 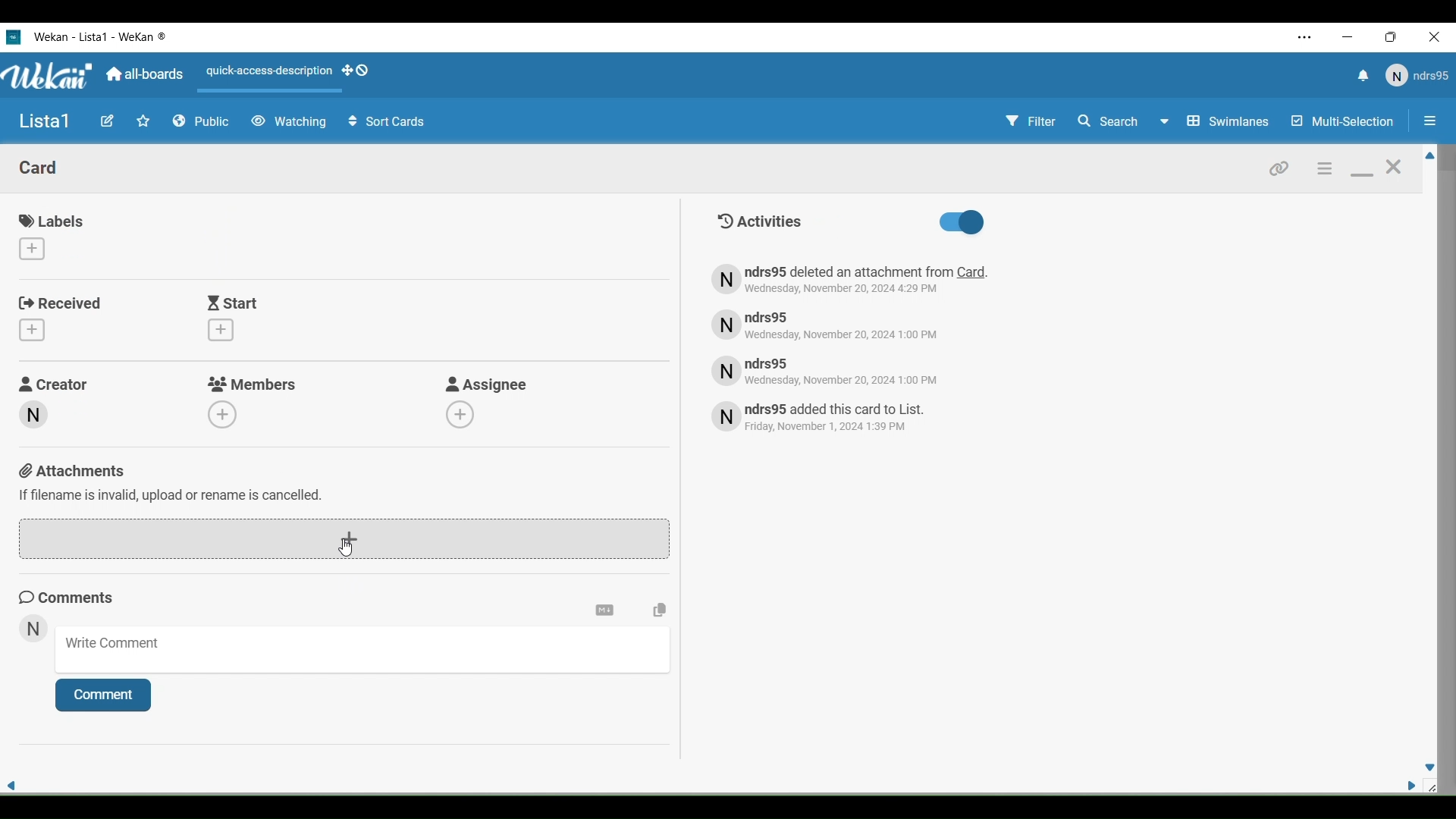 What do you see at coordinates (1395, 38) in the screenshot?
I see `Maximize` at bounding box center [1395, 38].